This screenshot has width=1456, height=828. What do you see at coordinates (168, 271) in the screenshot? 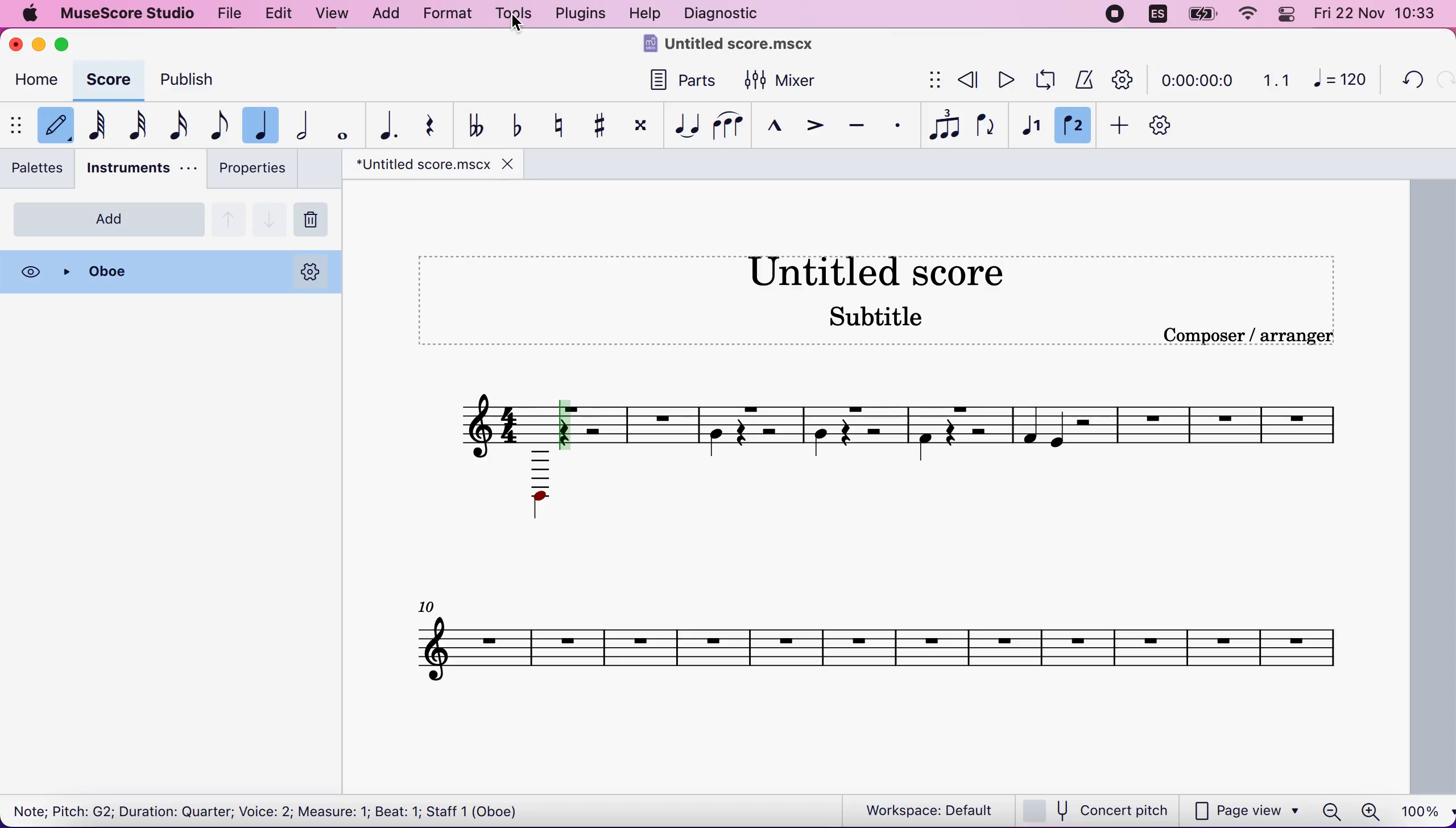
I see `oboe` at bounding box center [168, 271].